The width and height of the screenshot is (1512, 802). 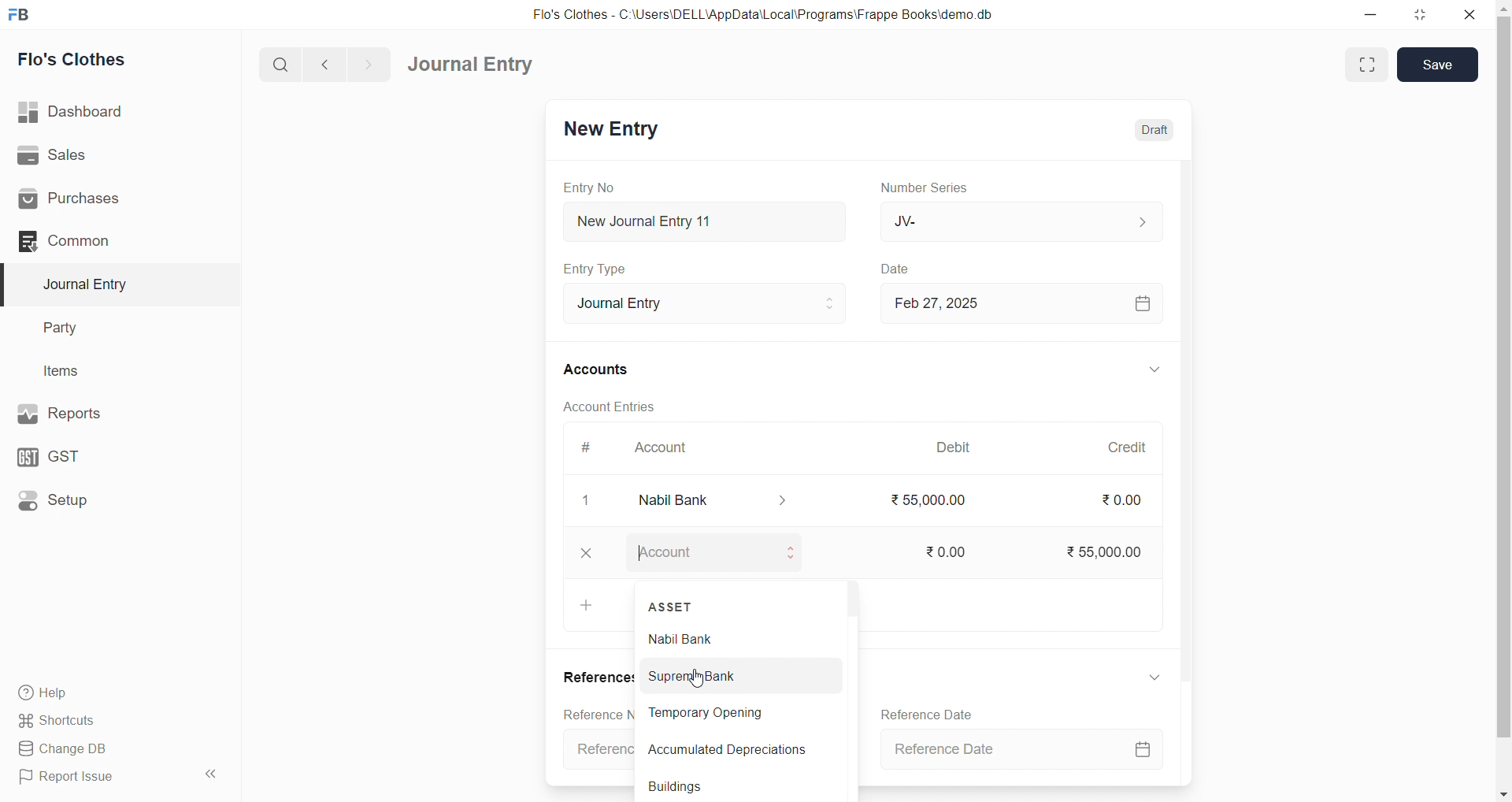 What do you see at coordinates (669, 446) in the screenshot?
I see `Account` at bounding box center [669, 446].